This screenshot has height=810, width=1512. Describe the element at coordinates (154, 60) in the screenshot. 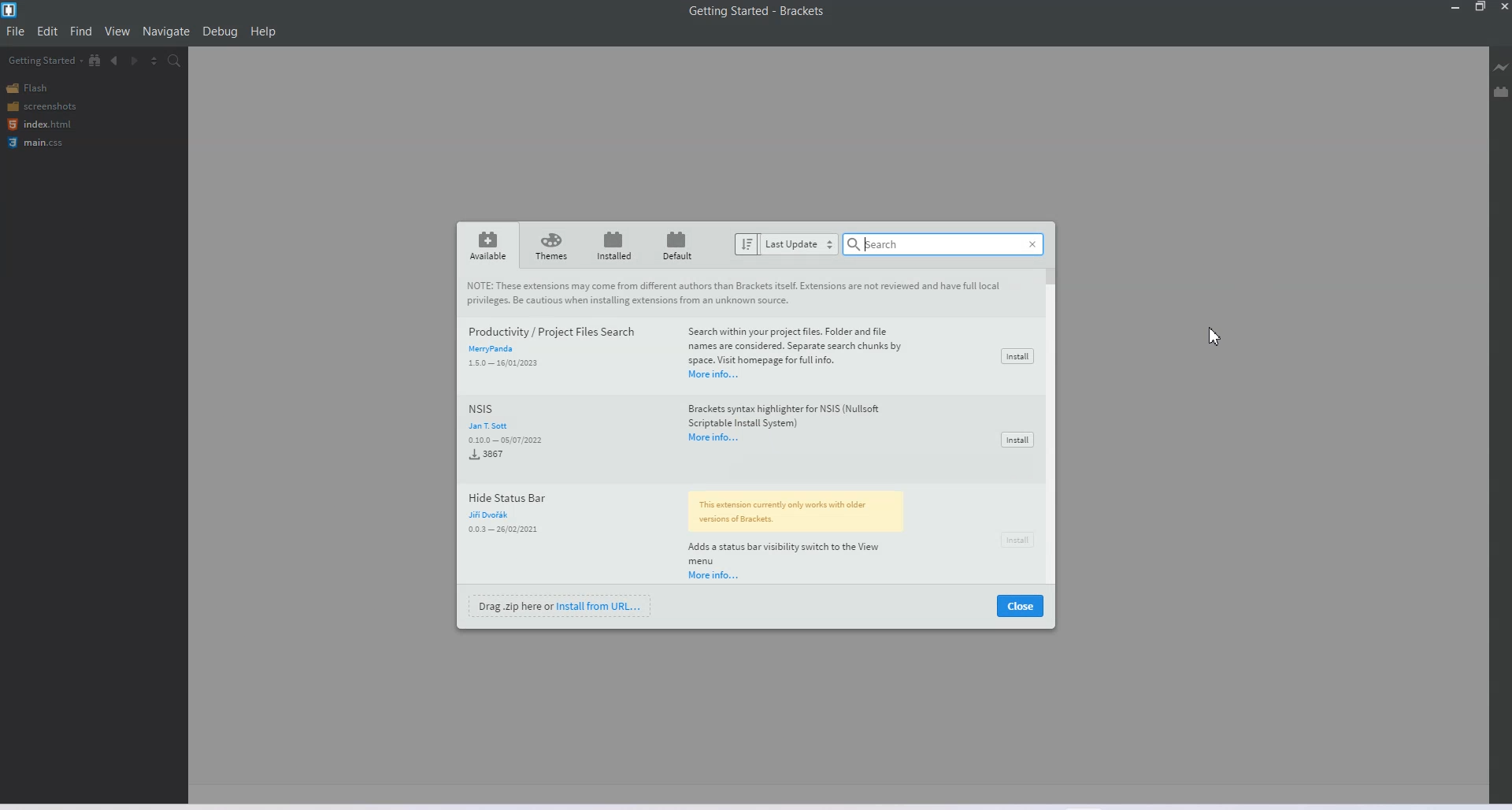

I see `Split the editor vertically and Horizontally` at that location.